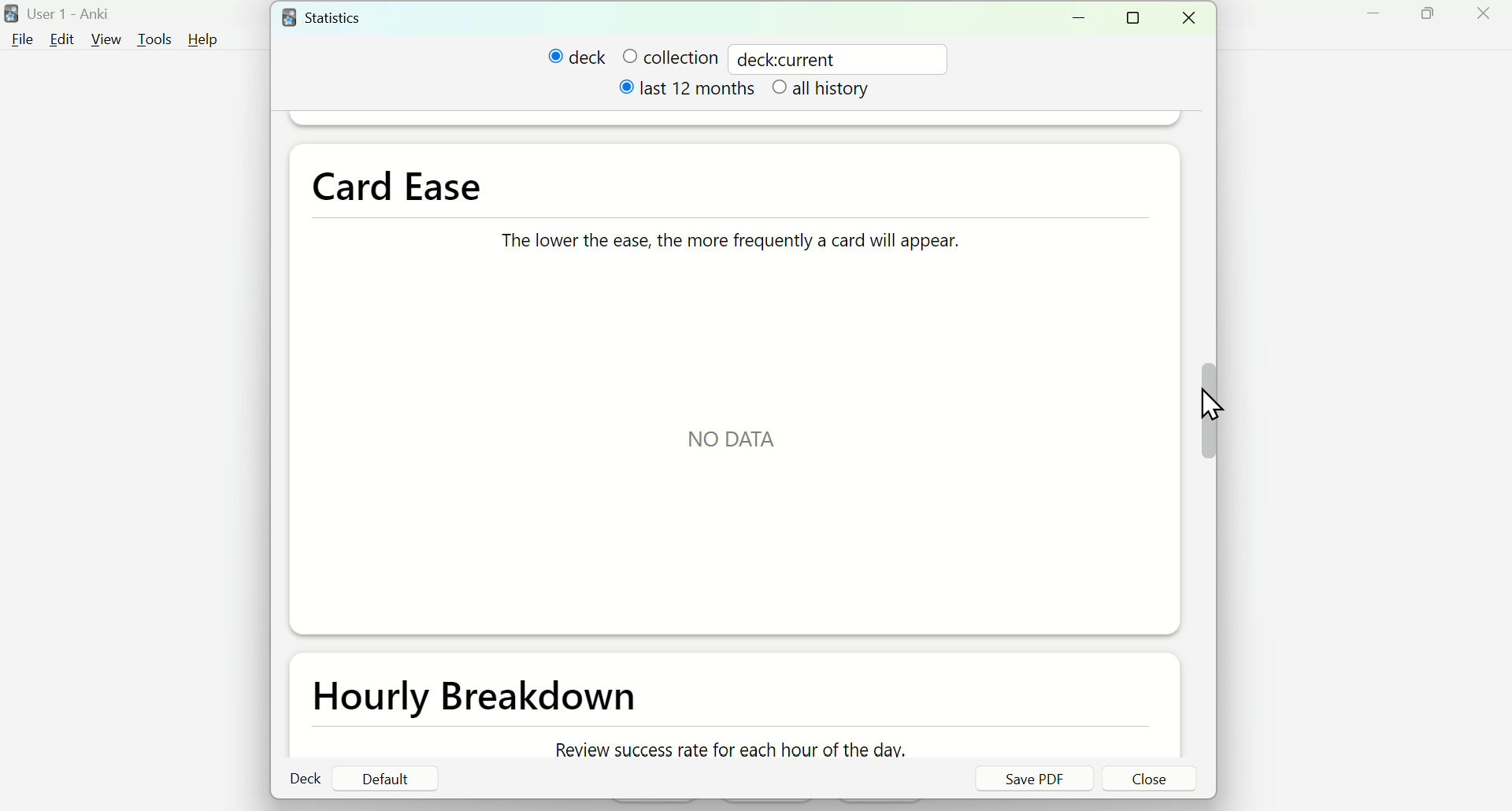 Image resolution: width=1512 pixels, height=811 pixels. I want to click on Hourly Report Card, so click(483, 699).